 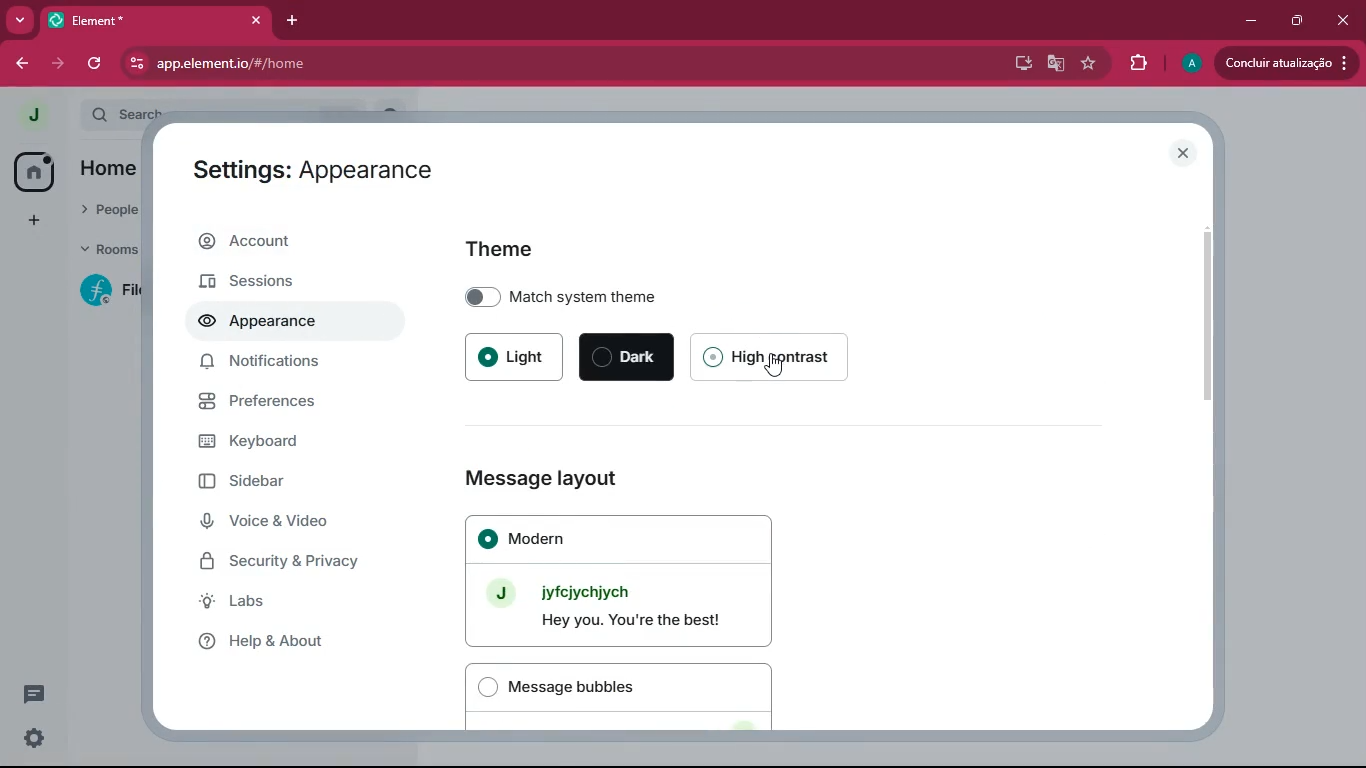 I want to click on Settings: Account, so click(x=293, y=169).